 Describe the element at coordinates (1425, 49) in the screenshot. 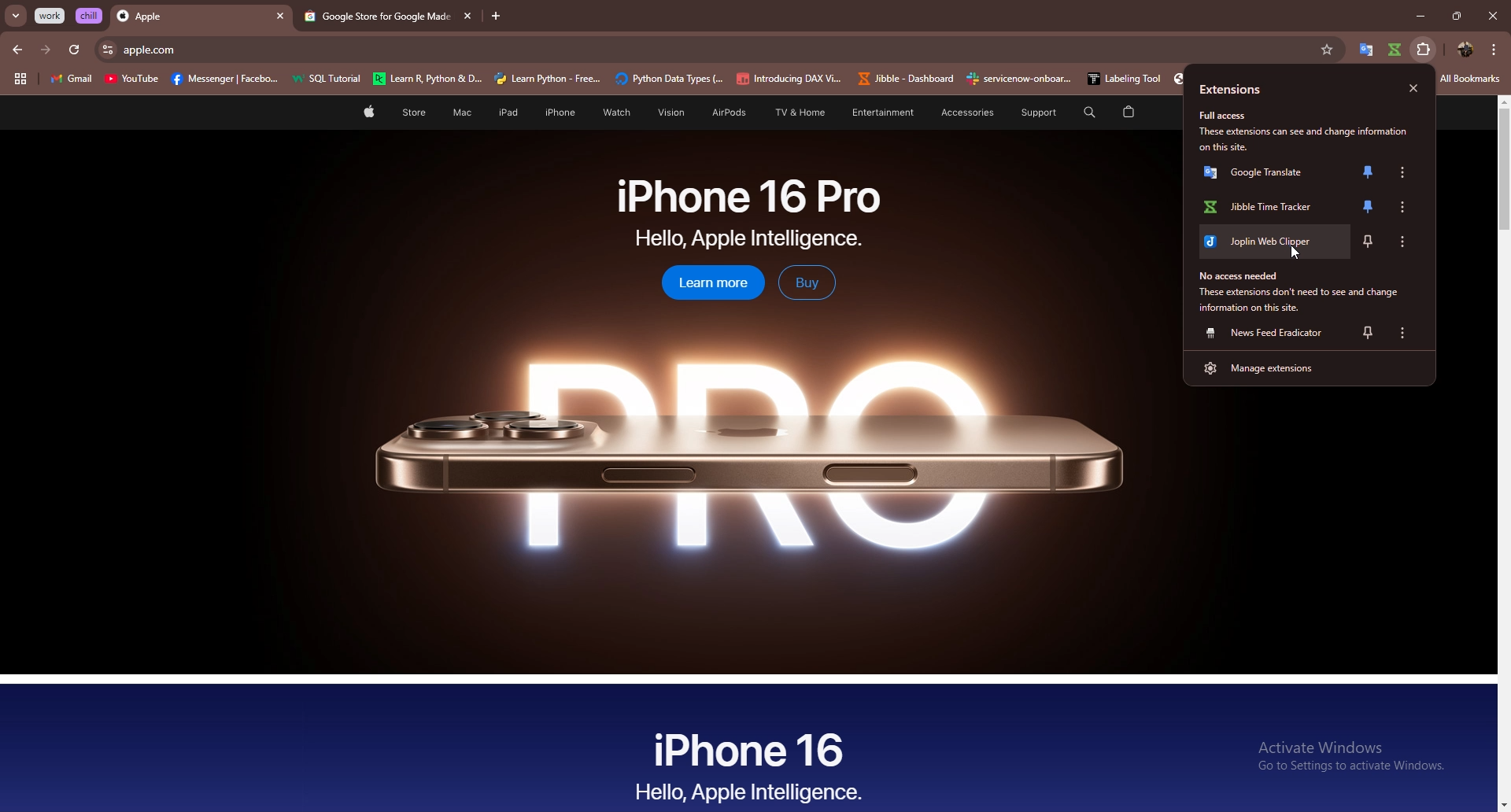

I see `extension` at that location.